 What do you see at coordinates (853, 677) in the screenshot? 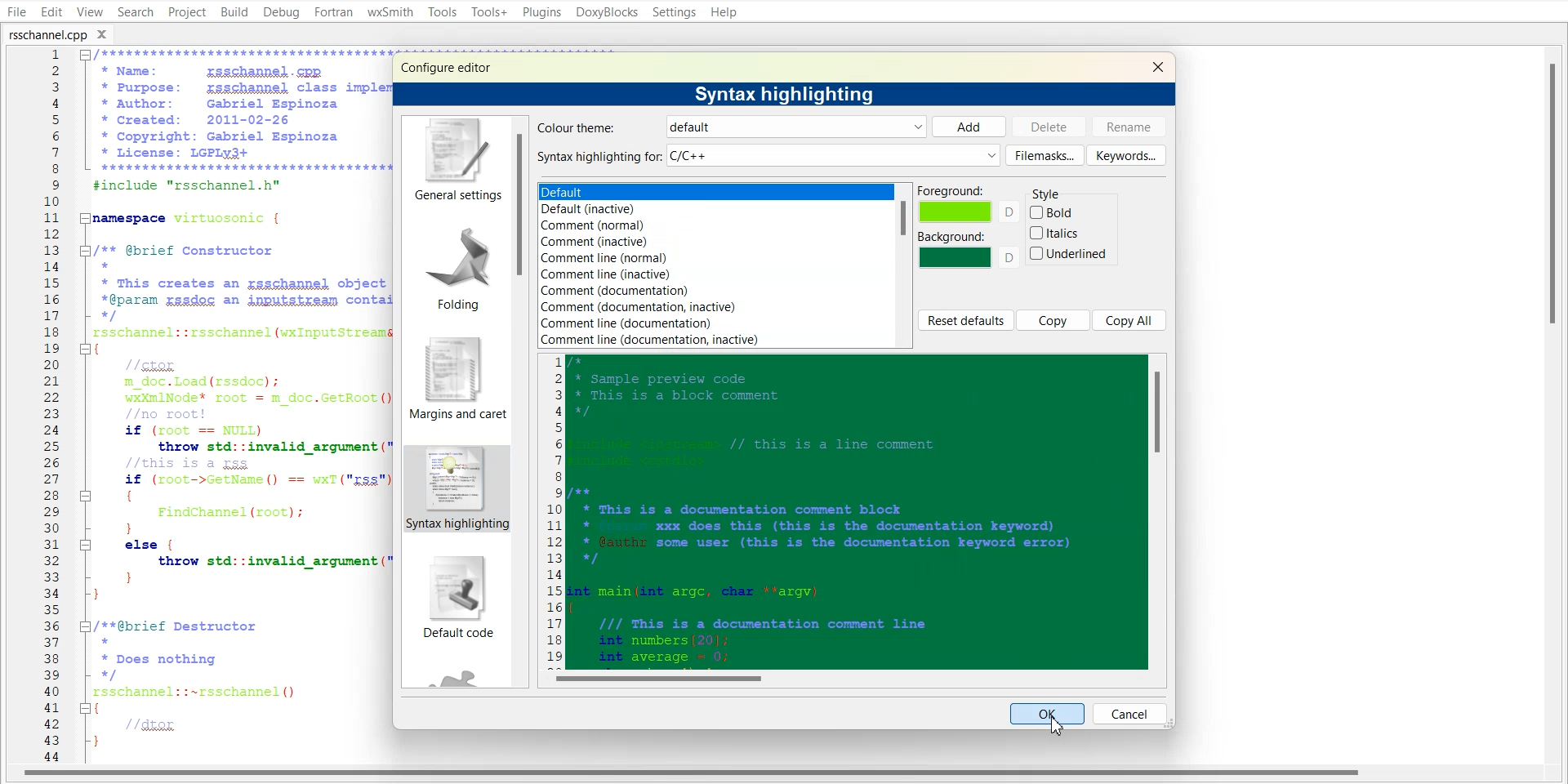
I see `Horizontal scroll bar` at bounding box center [853, 677].